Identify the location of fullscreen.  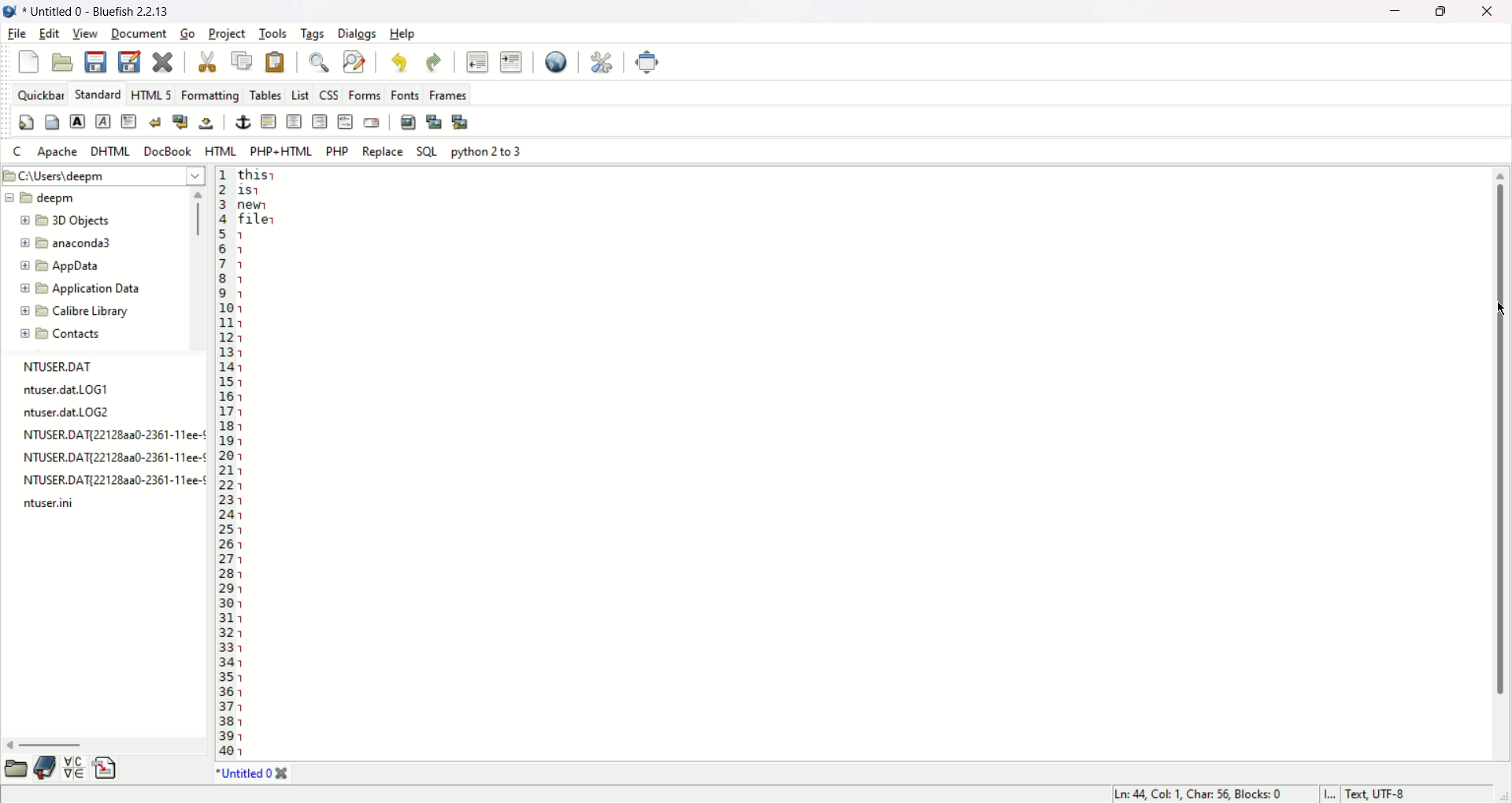
(650, 62).